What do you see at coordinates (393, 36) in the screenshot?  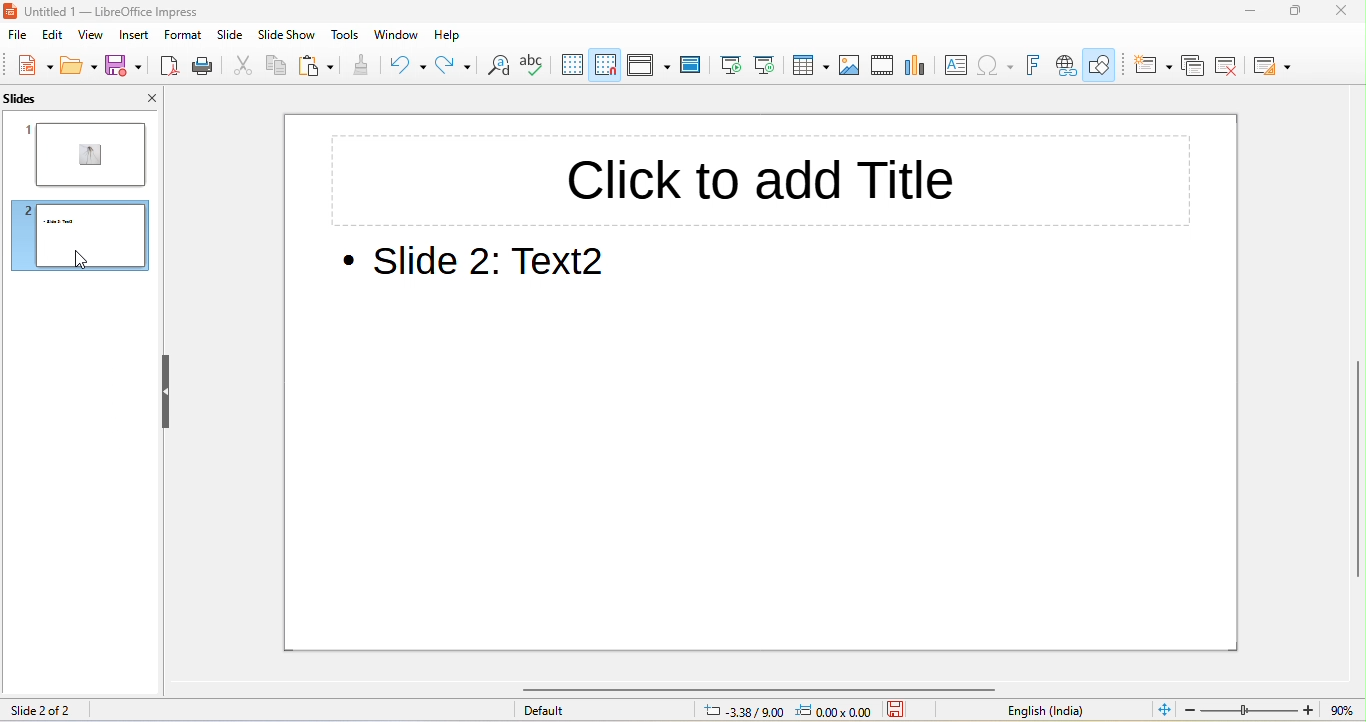 I see `window` at bounding box center [393, 36].